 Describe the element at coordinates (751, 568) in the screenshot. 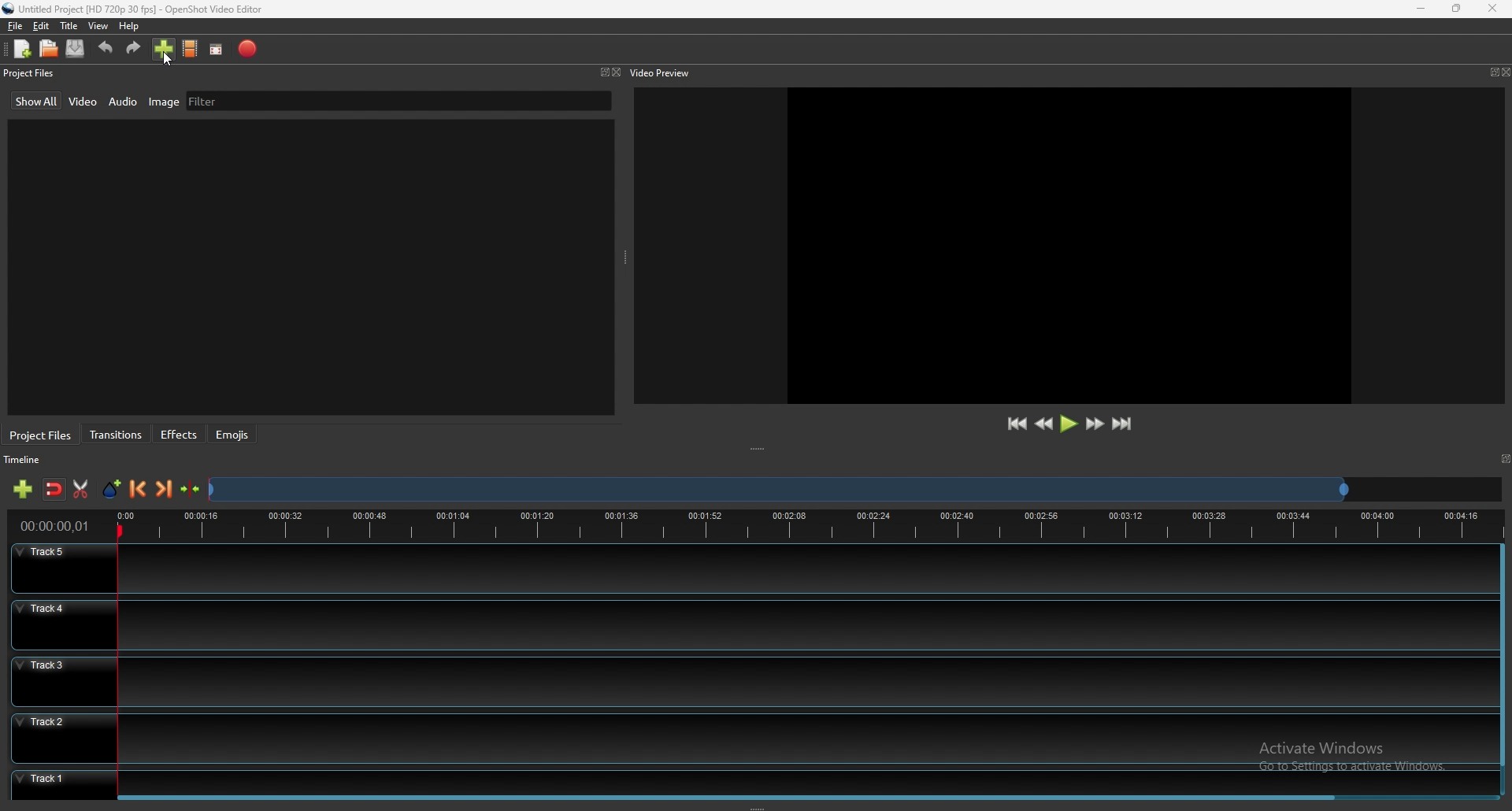

I see `track 5` at that location.